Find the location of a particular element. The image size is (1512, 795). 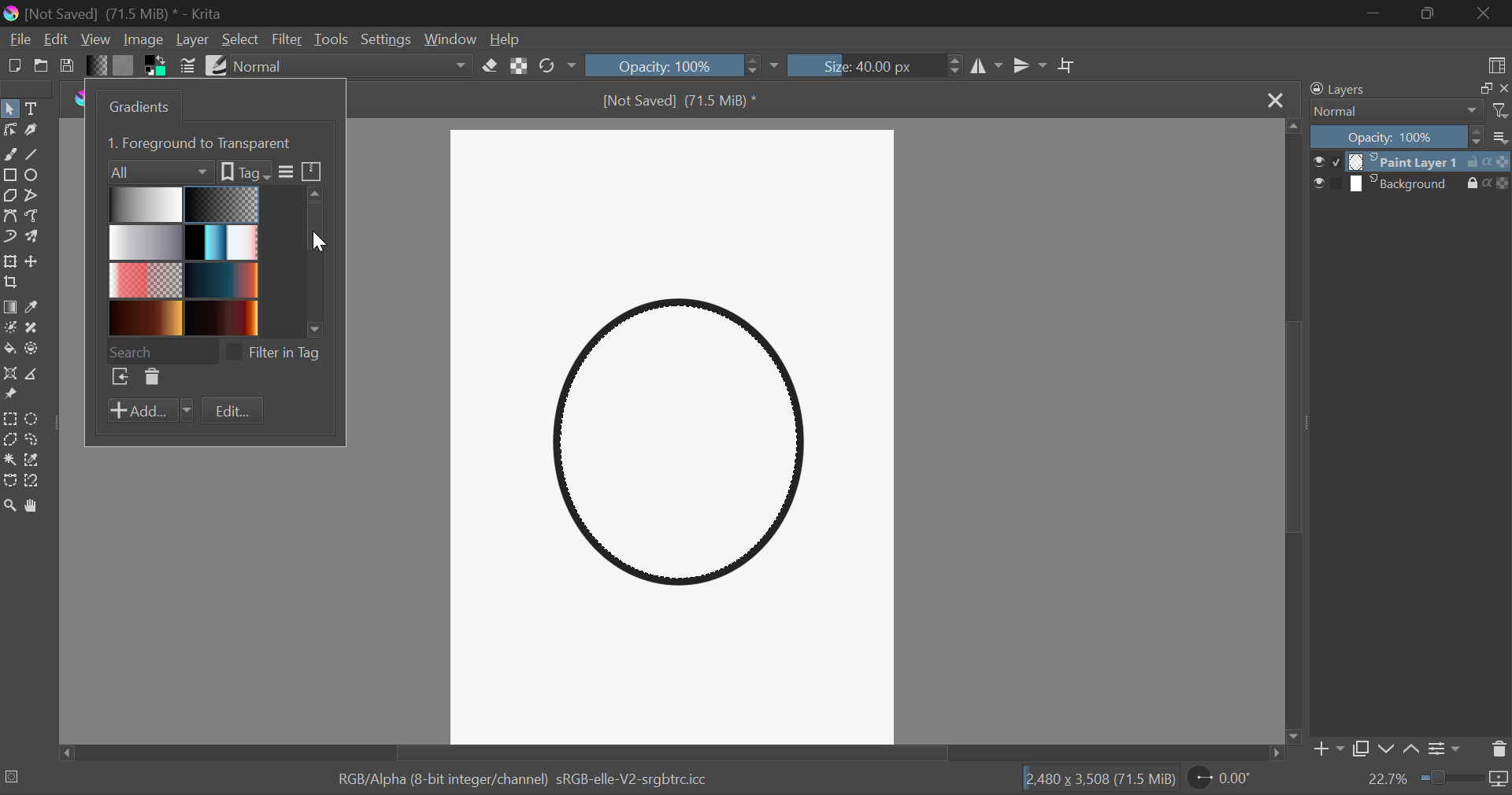

Crop is located at coordinates (11, 284).